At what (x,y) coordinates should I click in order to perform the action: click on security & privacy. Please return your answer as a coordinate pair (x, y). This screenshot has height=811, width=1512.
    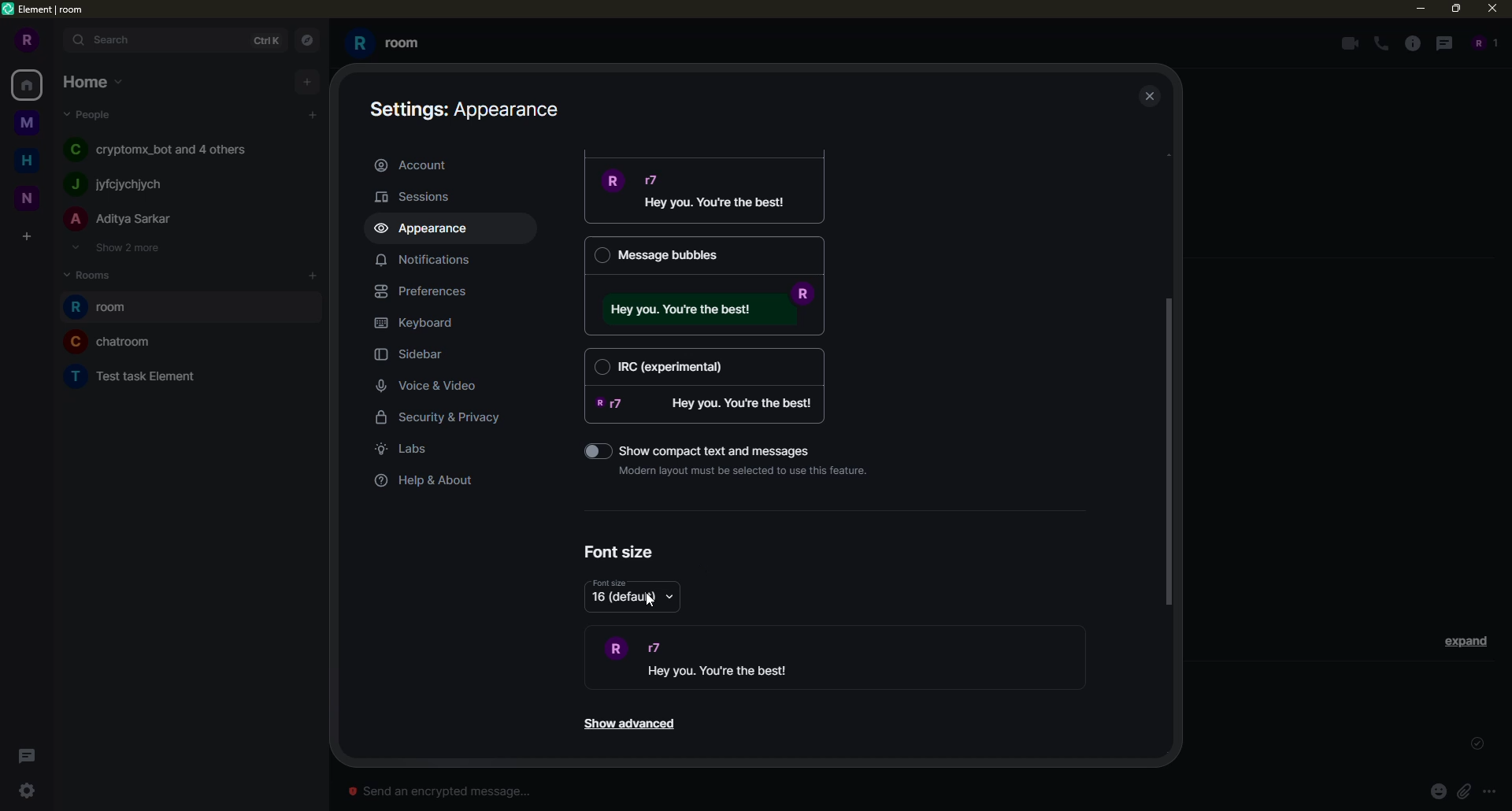
    Looking at the image, I should click on (450, 420).